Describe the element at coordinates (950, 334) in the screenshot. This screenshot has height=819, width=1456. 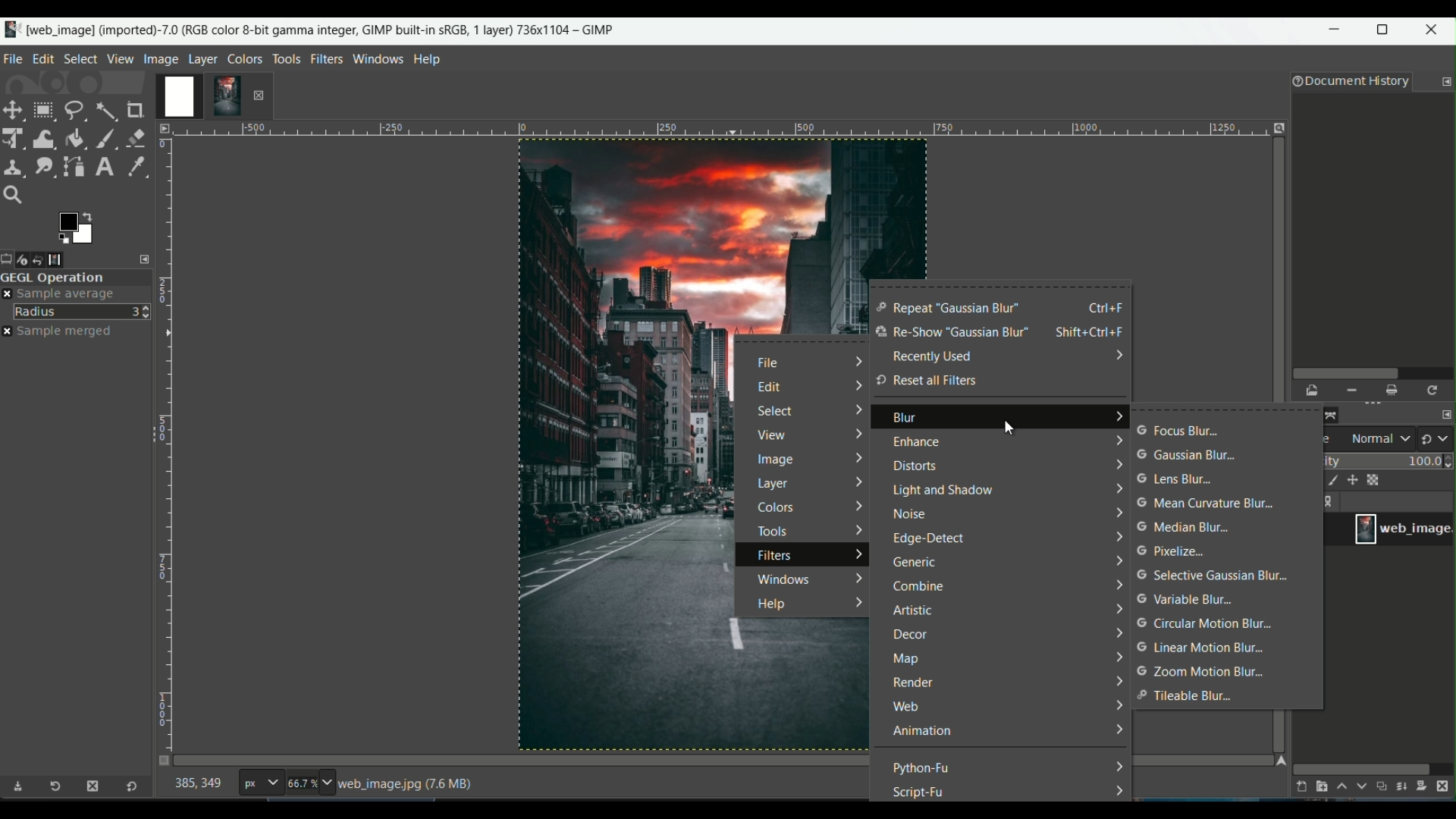
I see `reshow` at that location.